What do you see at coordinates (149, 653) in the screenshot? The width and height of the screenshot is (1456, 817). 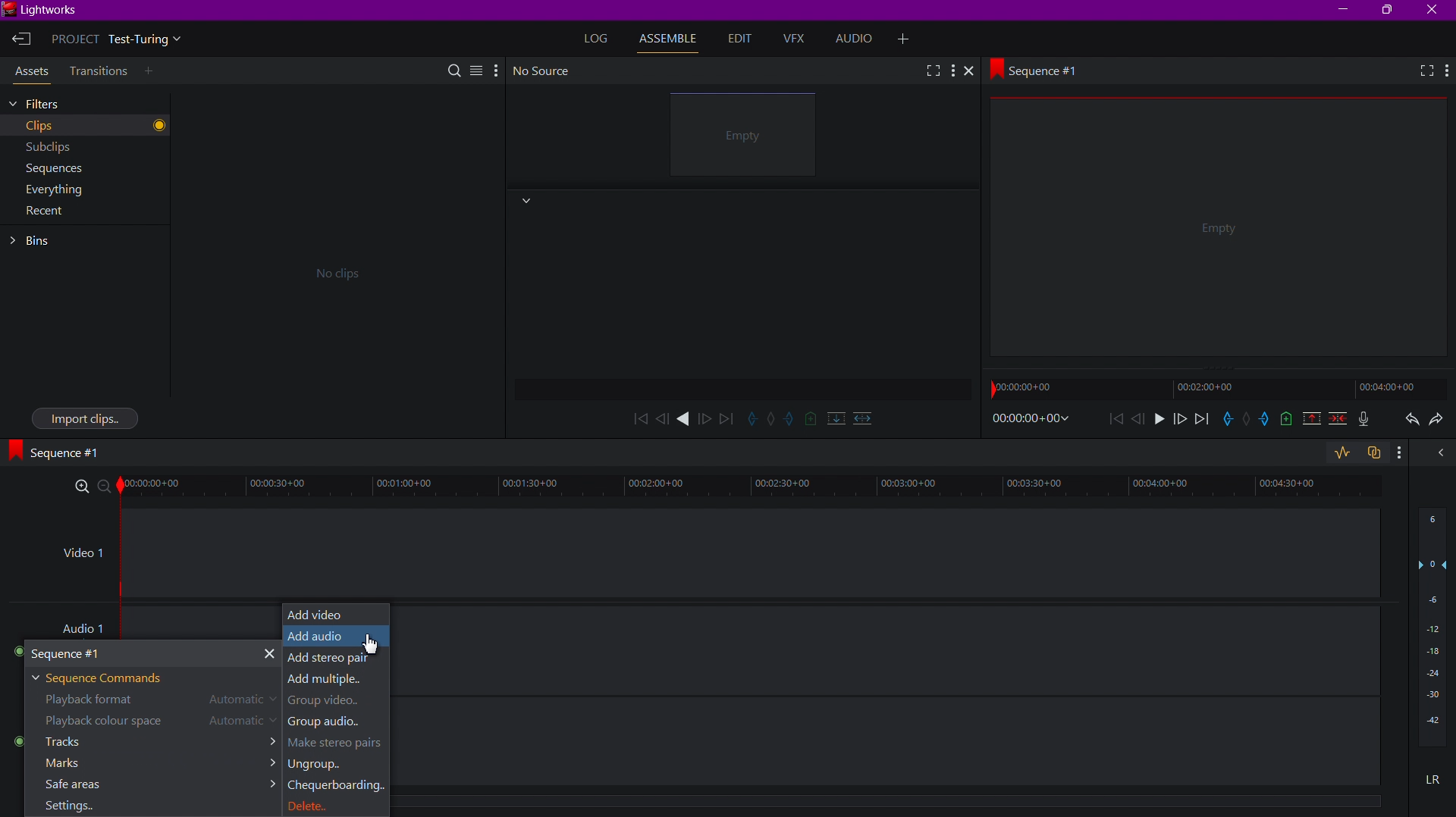 I see `Sequence 1` at bounding box center [149, 653].